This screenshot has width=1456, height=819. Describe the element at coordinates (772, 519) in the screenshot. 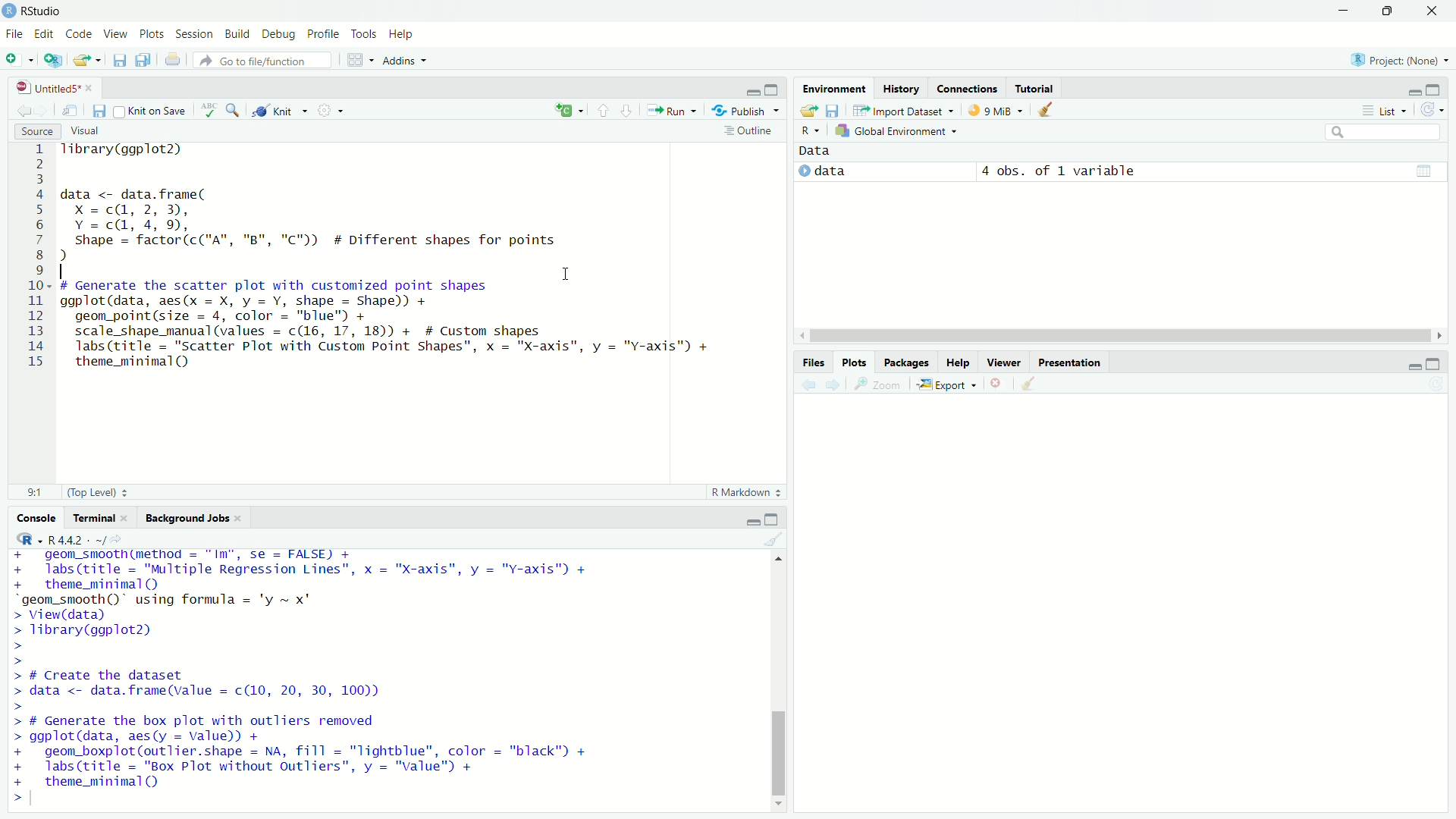

I see `maximize` at that location.